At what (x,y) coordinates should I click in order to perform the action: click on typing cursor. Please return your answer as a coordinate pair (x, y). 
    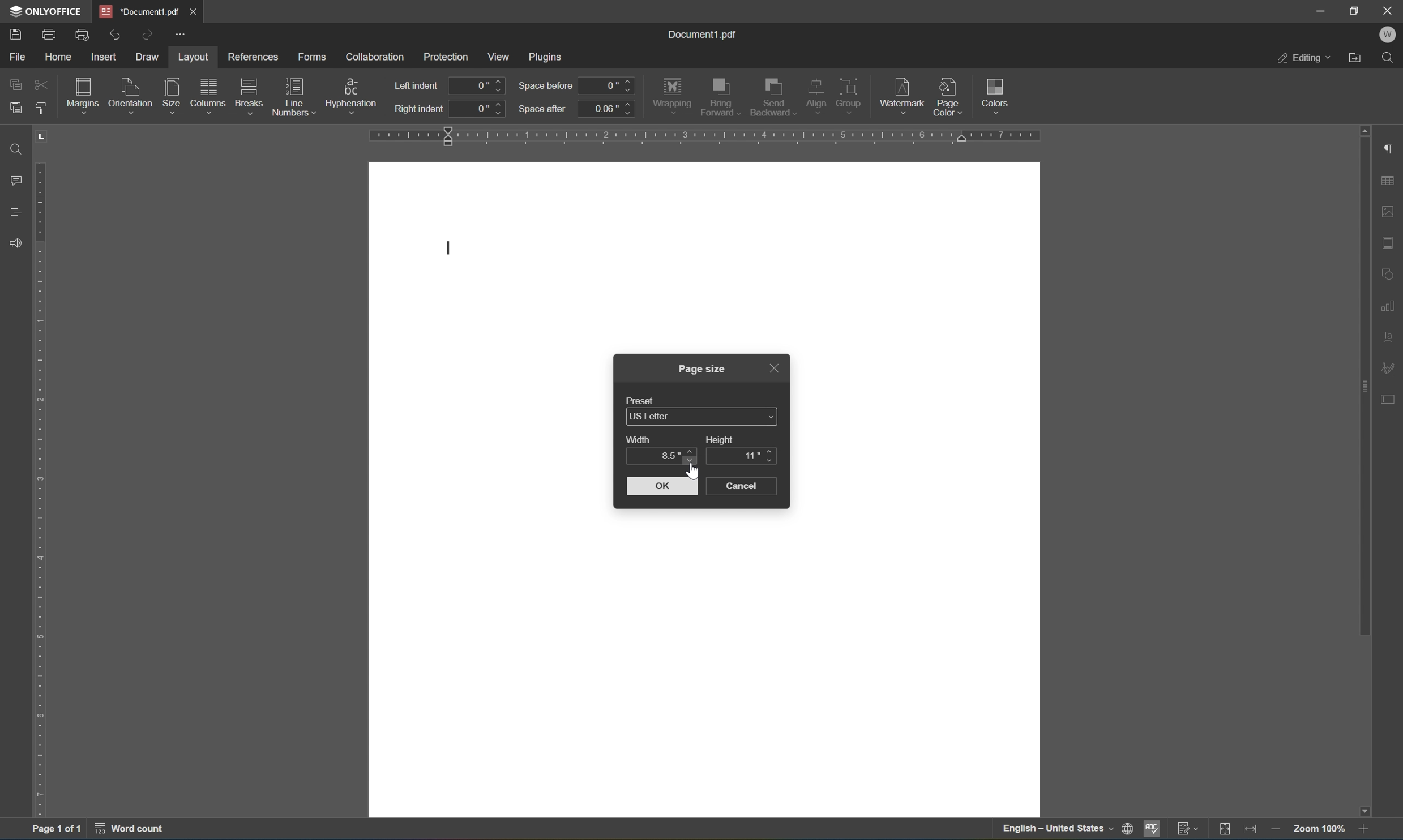
    Looking at the image, I should click on (451, 248).